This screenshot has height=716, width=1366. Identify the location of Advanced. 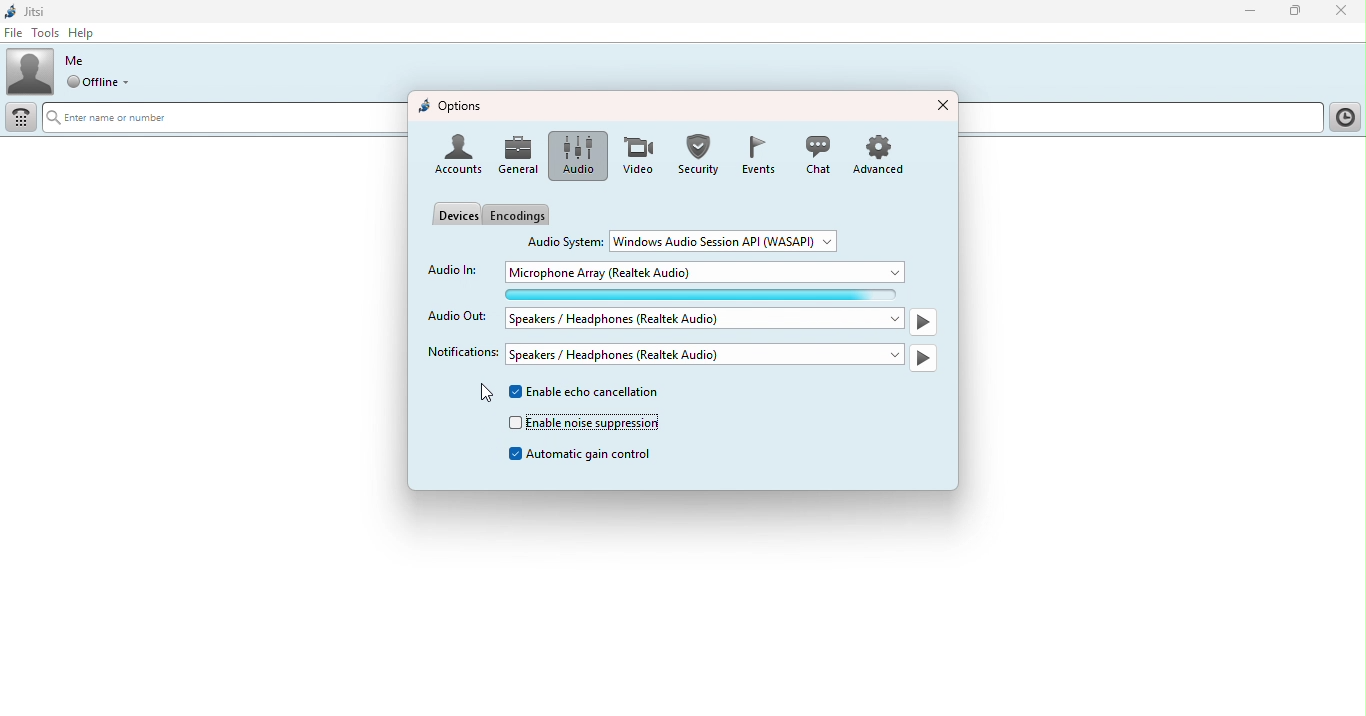
(885, 153).